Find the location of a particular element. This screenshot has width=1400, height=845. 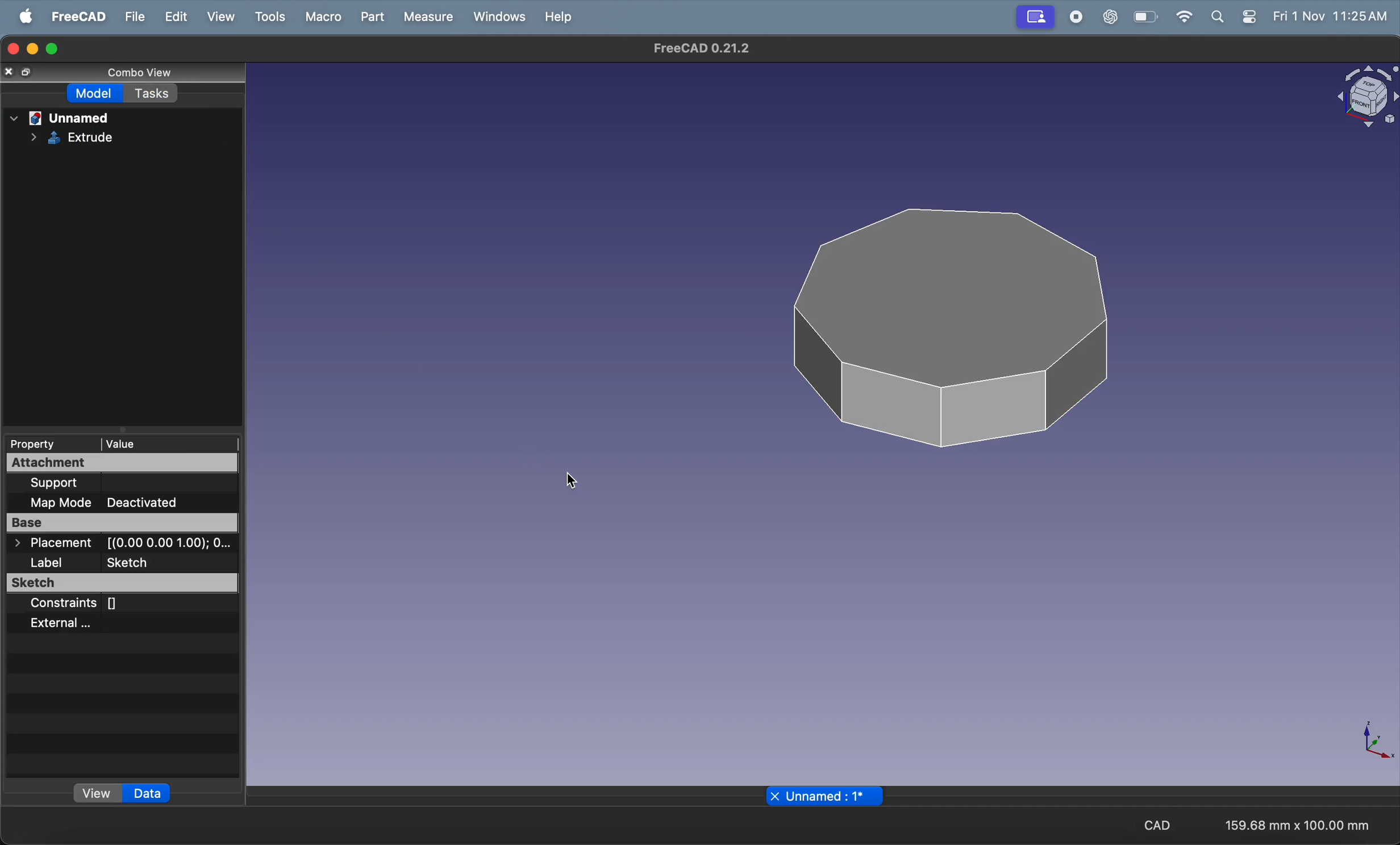

value is located at coordinates (168, 444).